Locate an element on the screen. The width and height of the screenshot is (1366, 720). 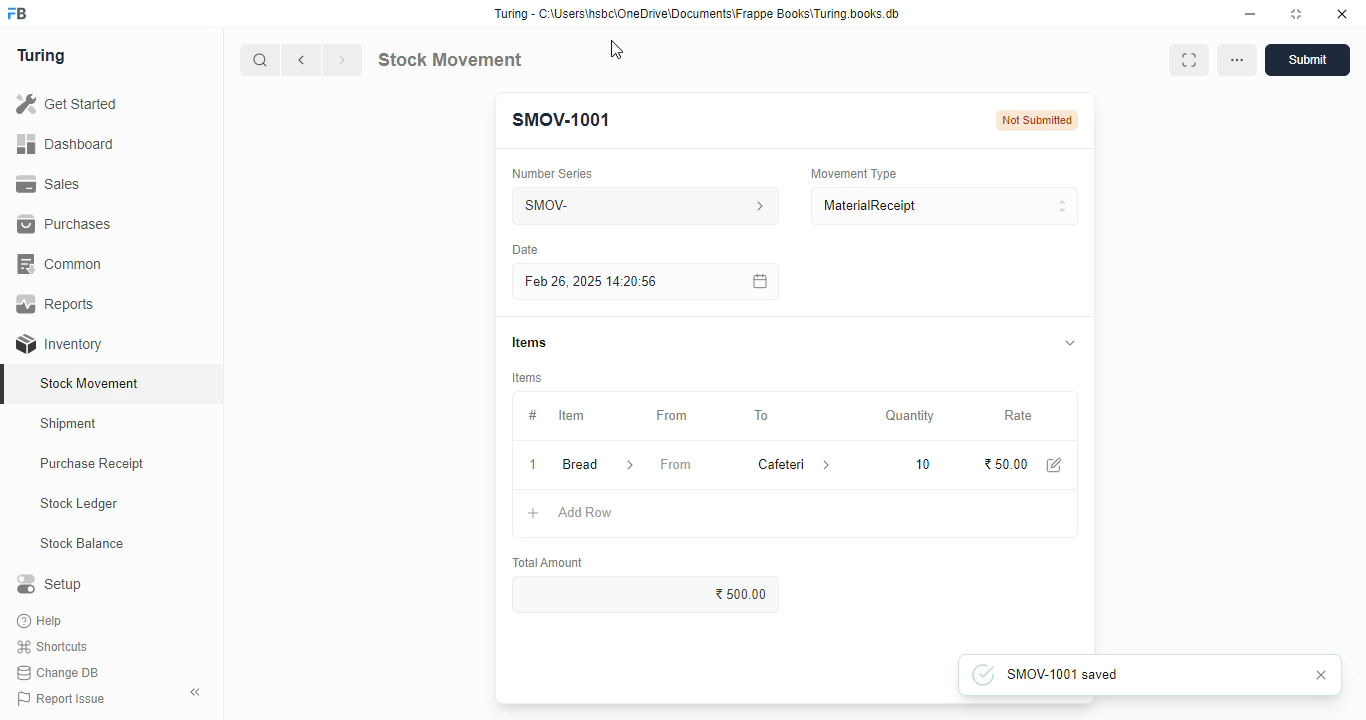
cancel is located at coordinates (1320, 675).